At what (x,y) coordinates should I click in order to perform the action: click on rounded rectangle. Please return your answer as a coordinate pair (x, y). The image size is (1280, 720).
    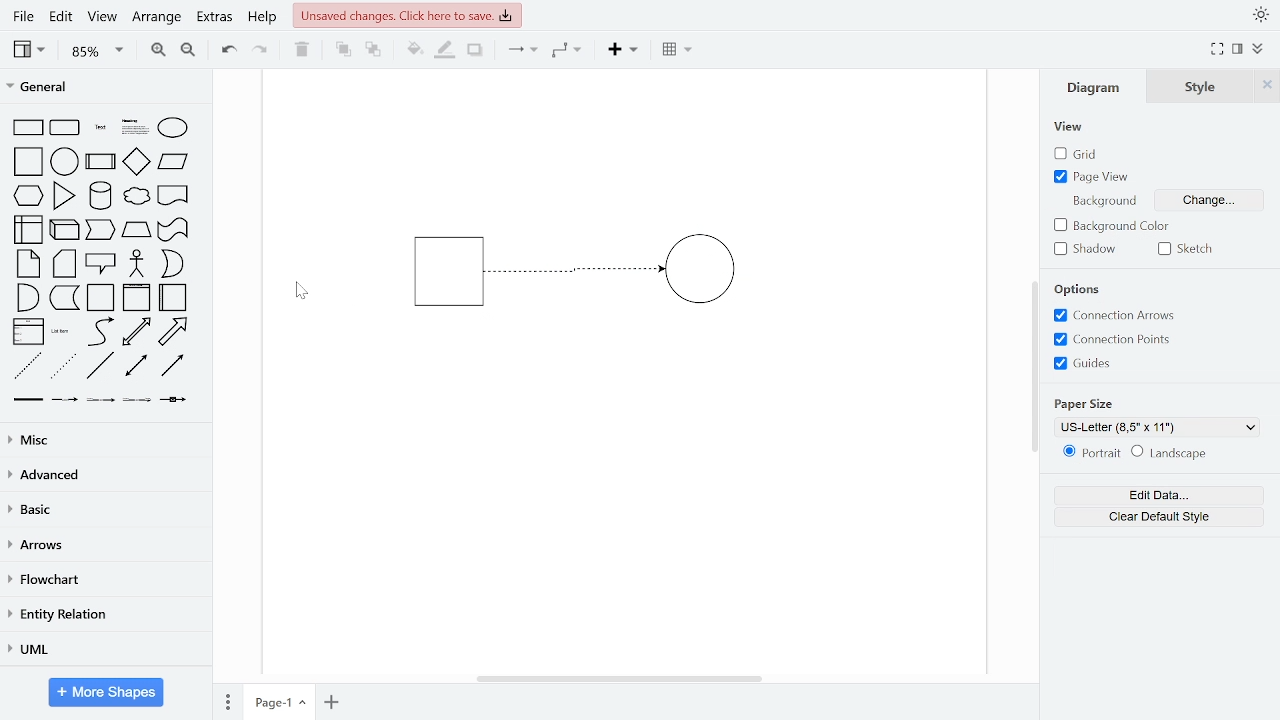
    Looking at the image, I should click on (66, 129).